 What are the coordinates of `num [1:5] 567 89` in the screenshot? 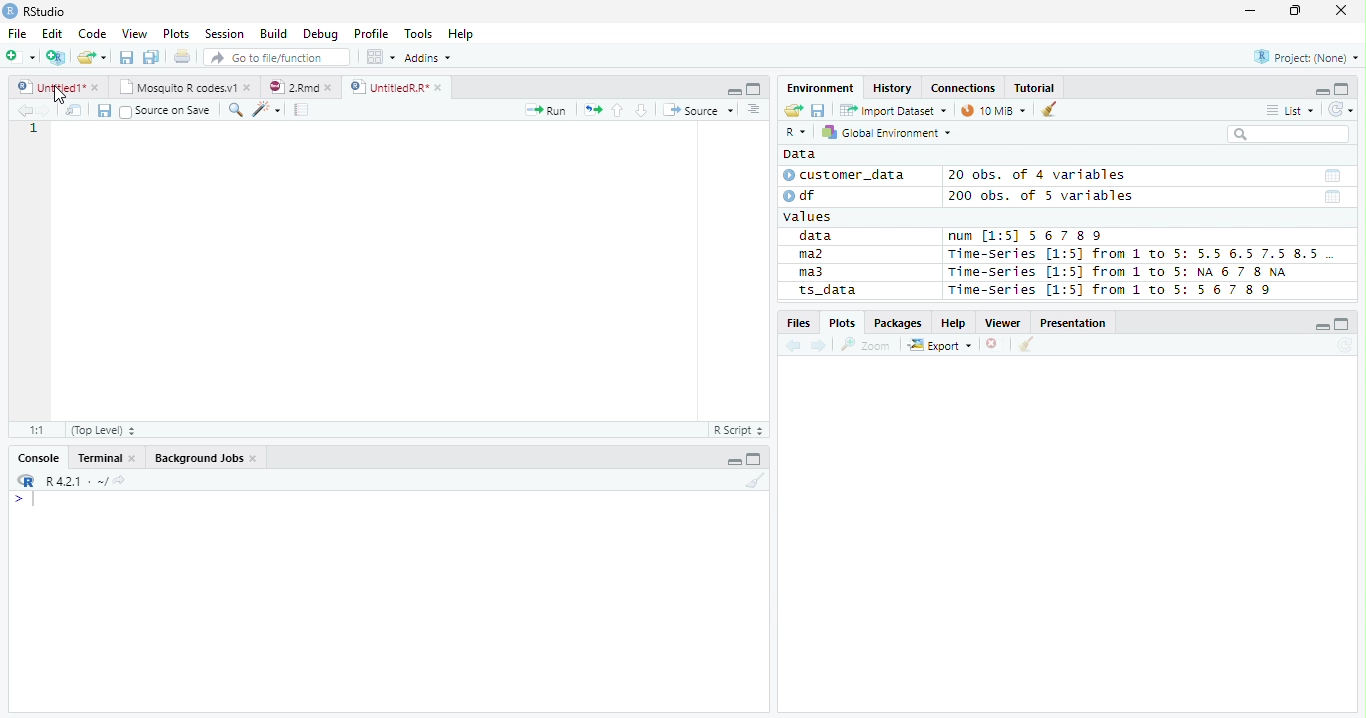 It's located at (1026, 236).